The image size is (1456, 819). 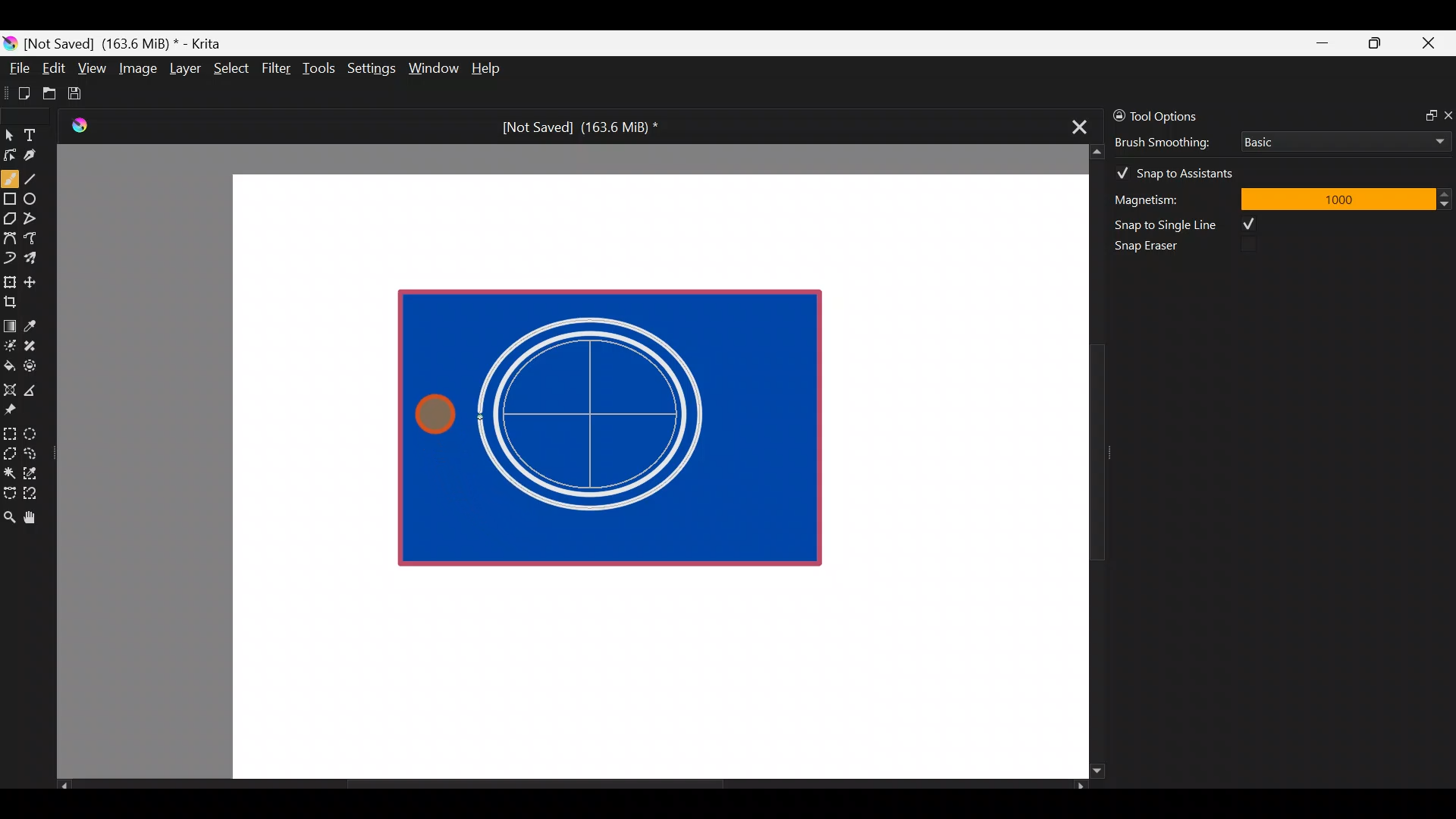 What do you see at coordinates (19, 93) in the screenshot?
I see `Create new document` at bounding box center [19, 93].